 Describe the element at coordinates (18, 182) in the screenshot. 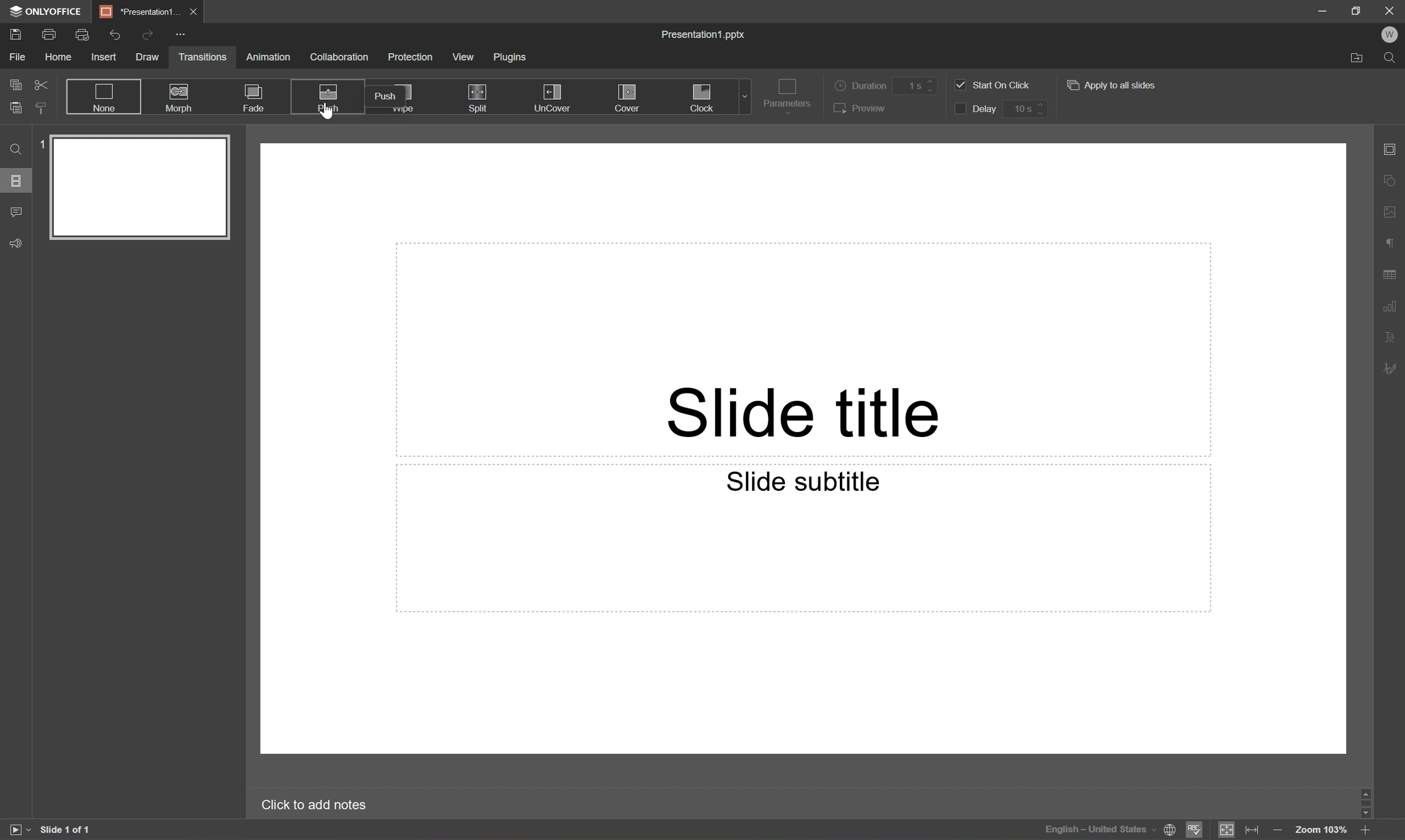

I see `Slides` at that location.